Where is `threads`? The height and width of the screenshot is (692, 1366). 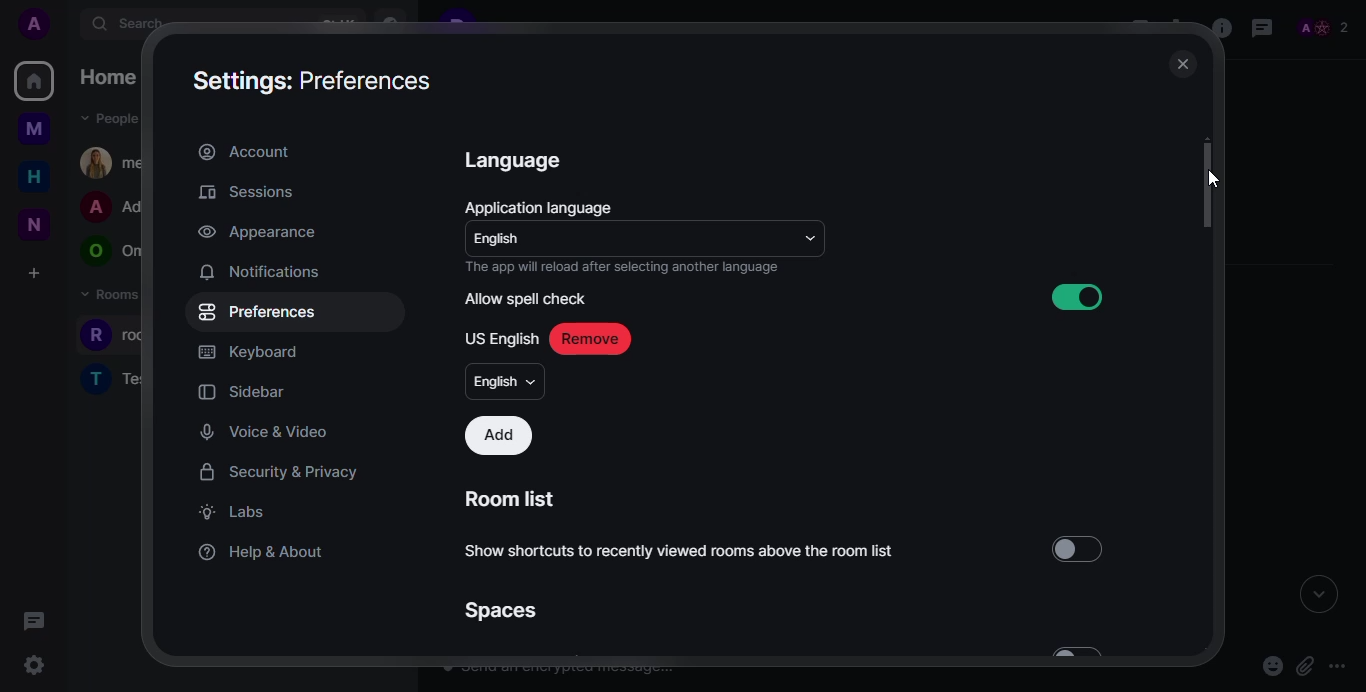
threads is located at coordinates (1262, 27).